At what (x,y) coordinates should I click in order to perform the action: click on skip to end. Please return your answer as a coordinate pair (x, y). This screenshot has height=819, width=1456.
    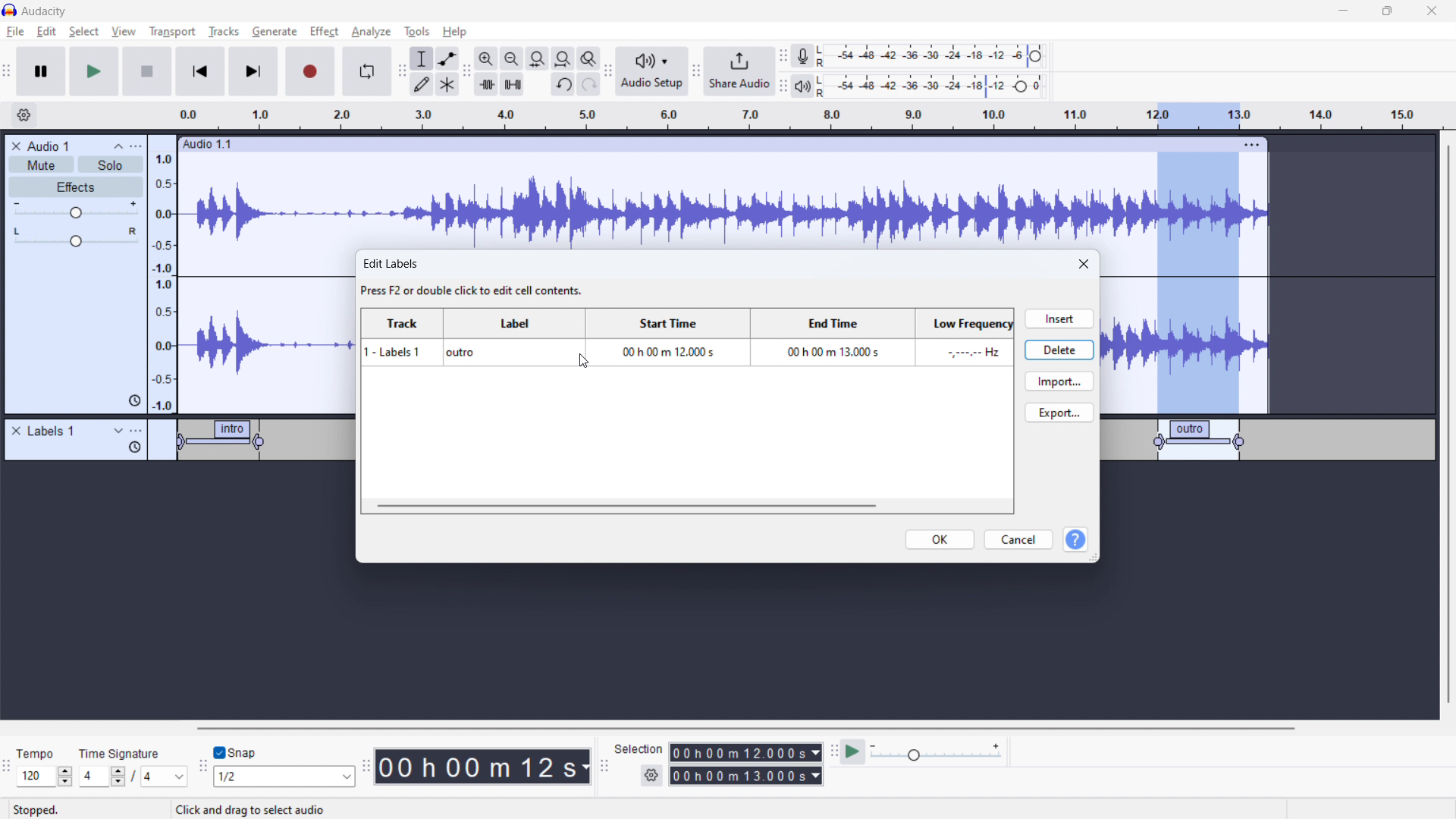
    Looking at the image, I should click on (258, 71).